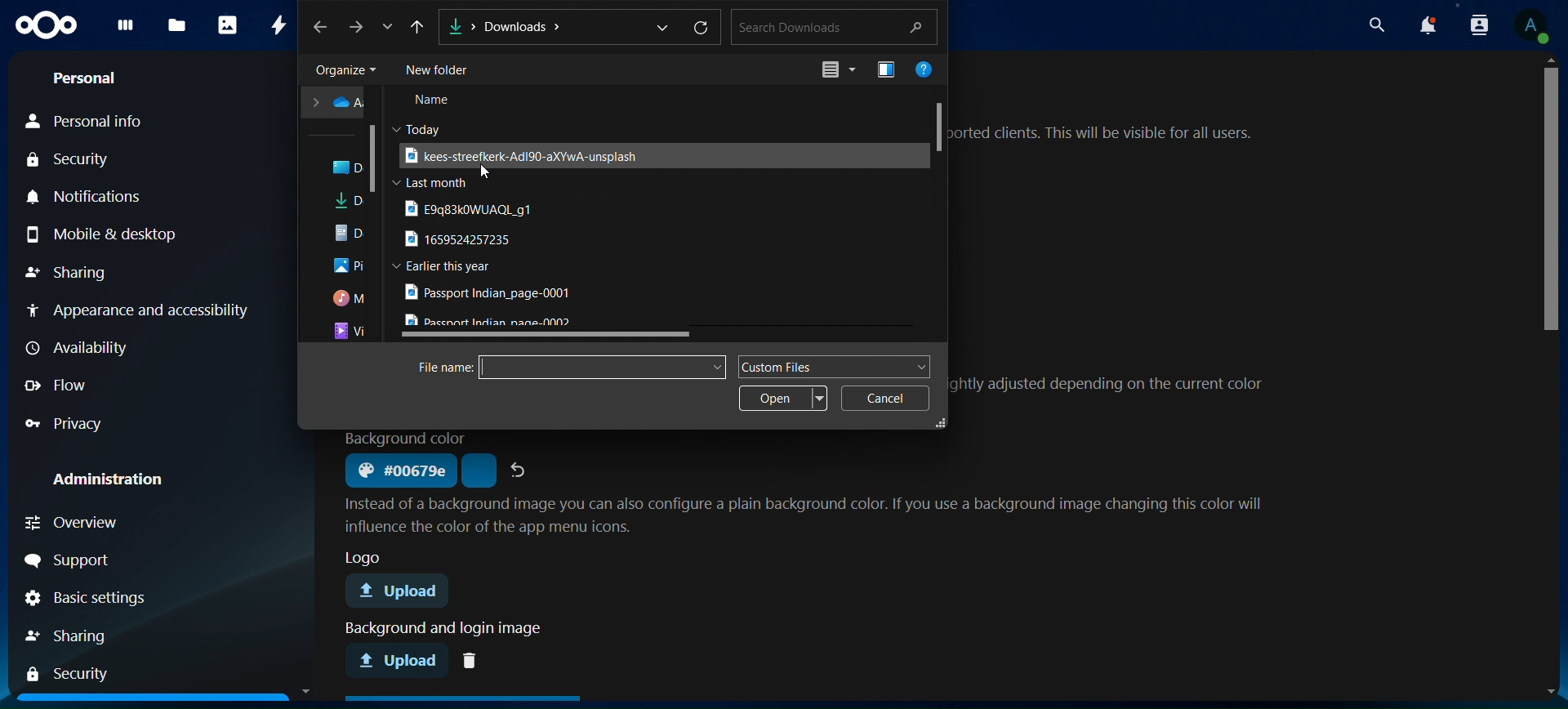 The height and width of the screenshot is (709, 1568). I want to click on privacy, so click(69, 421).